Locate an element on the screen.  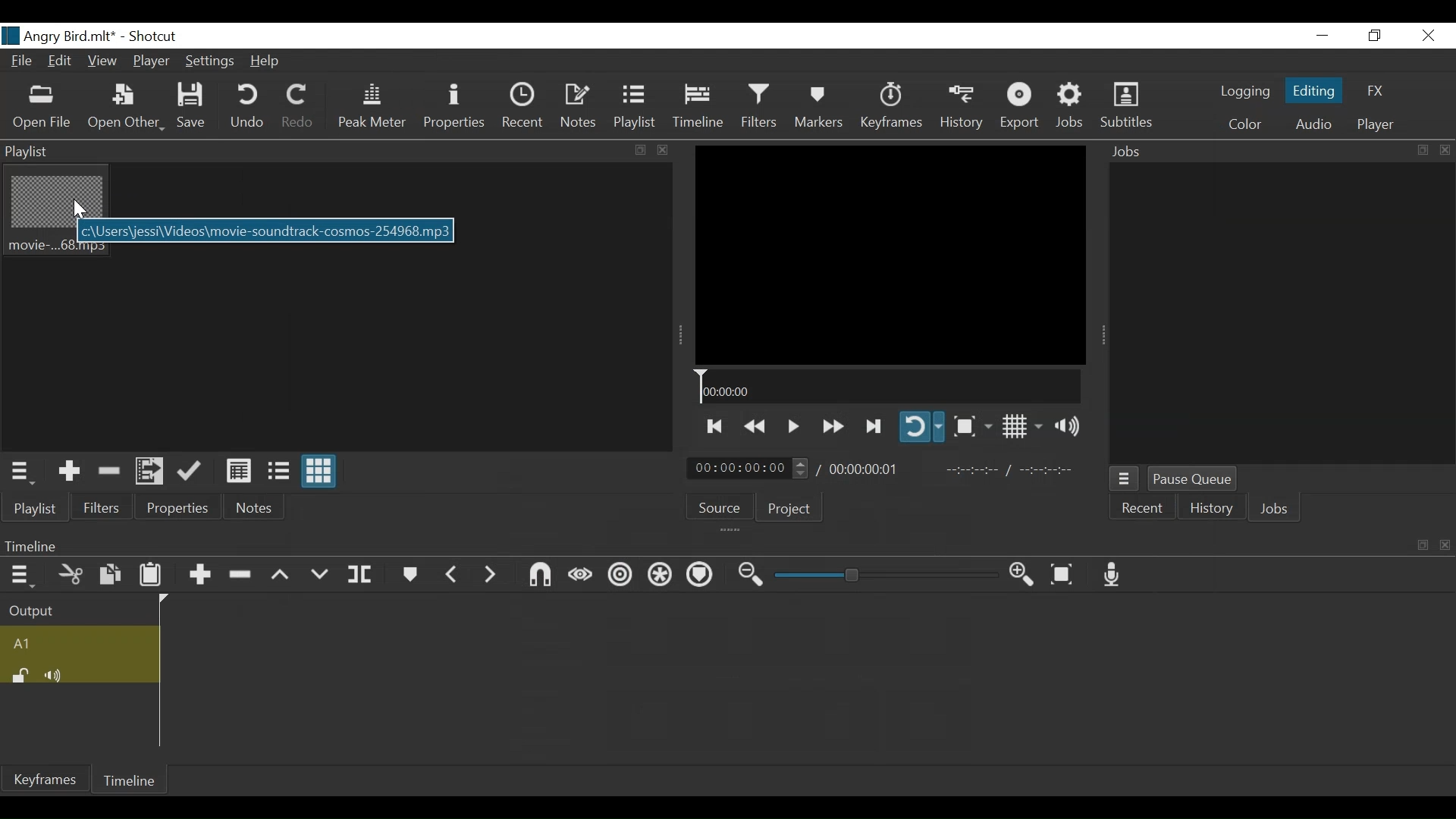
File path is located at coordinates (265, 231).